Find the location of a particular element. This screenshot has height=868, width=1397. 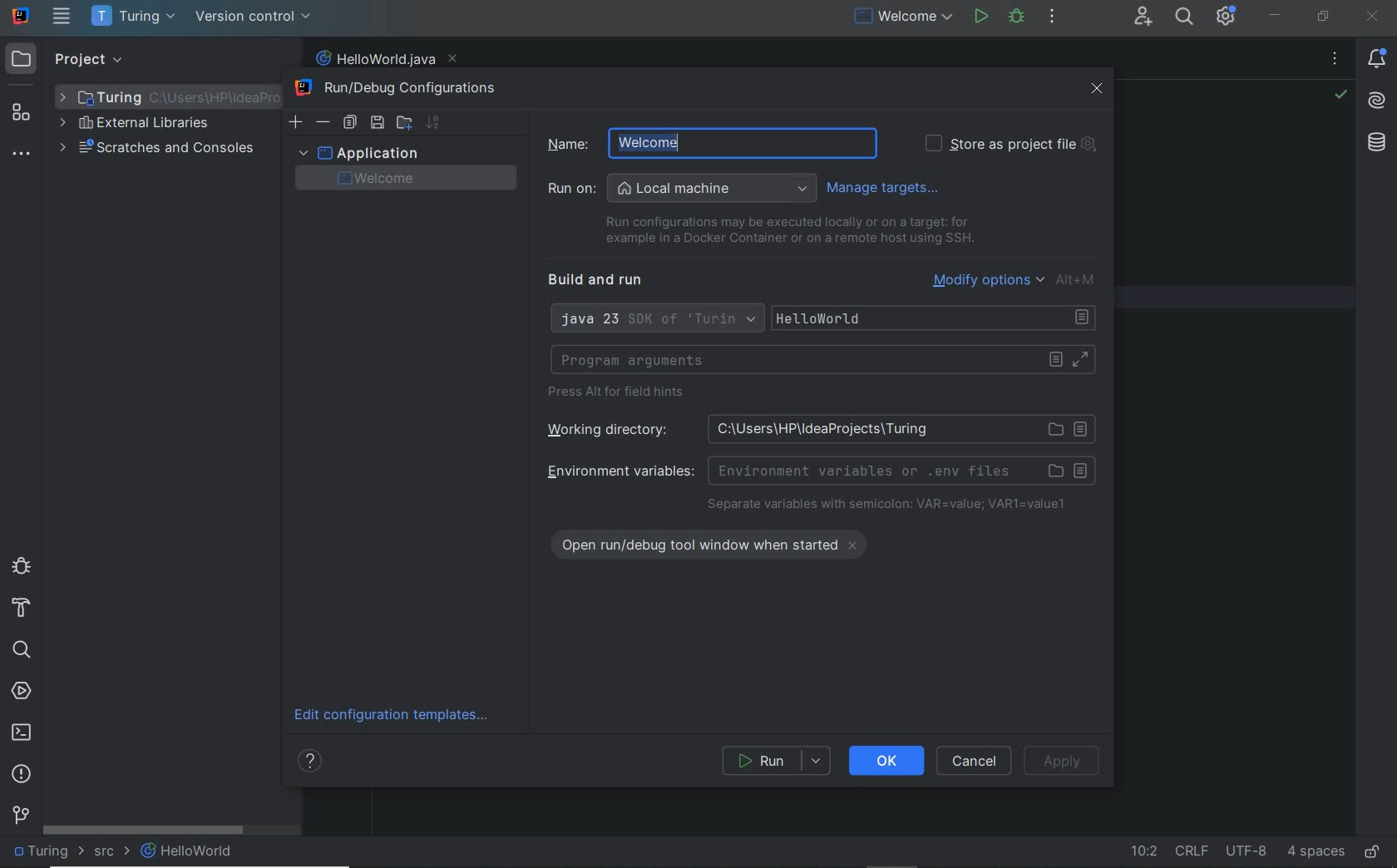

line separator is located at coordinates (1192, 851).